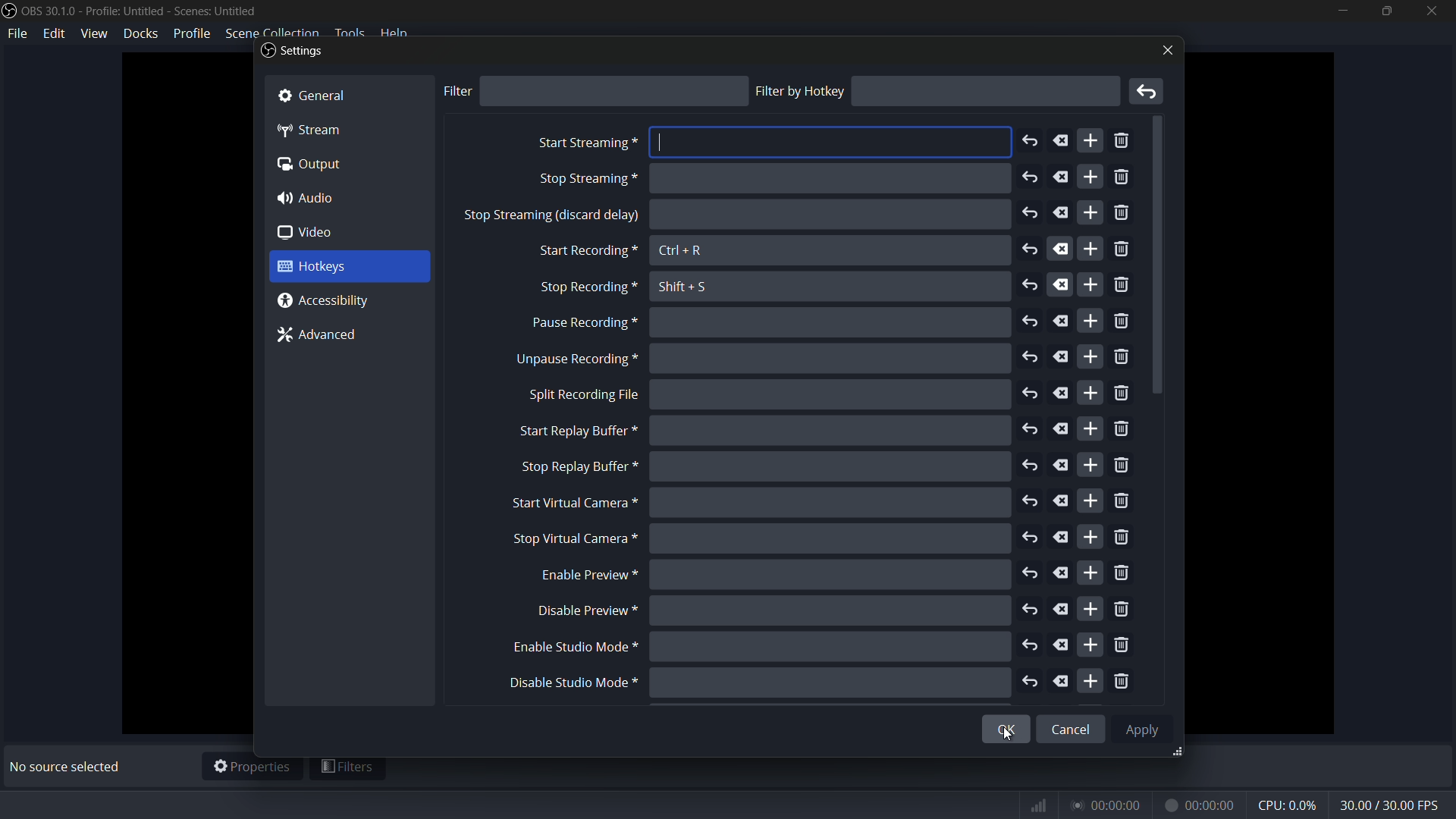 The width and height of the screenshot is (1456, 819). What do you see at coordinates (1030, 251) in the screenshot?
I see `undo` at bounding box center [1030, 251].